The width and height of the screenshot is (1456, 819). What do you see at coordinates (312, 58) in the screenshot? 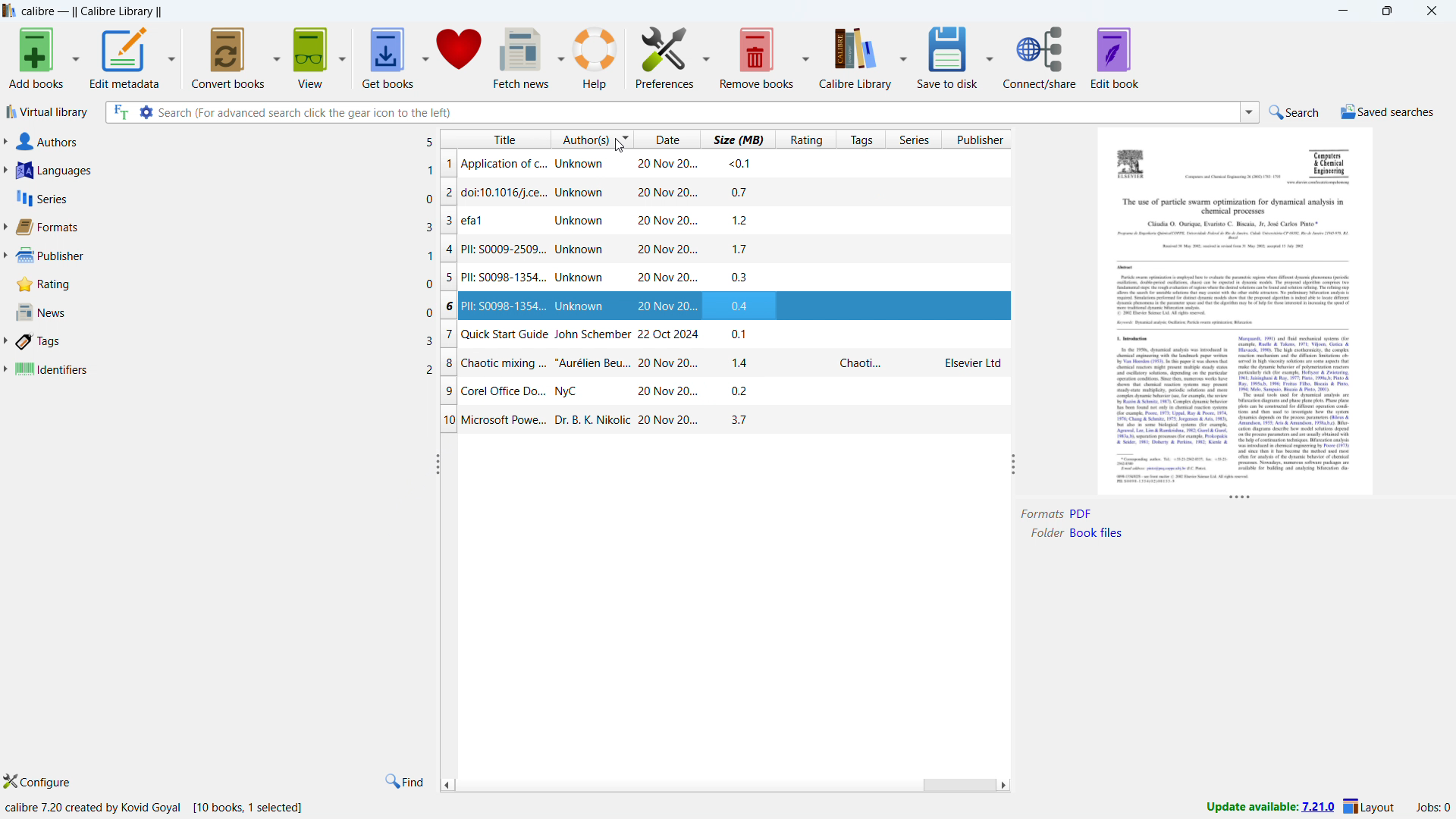
I see `view` at bounding box center [312, 58].